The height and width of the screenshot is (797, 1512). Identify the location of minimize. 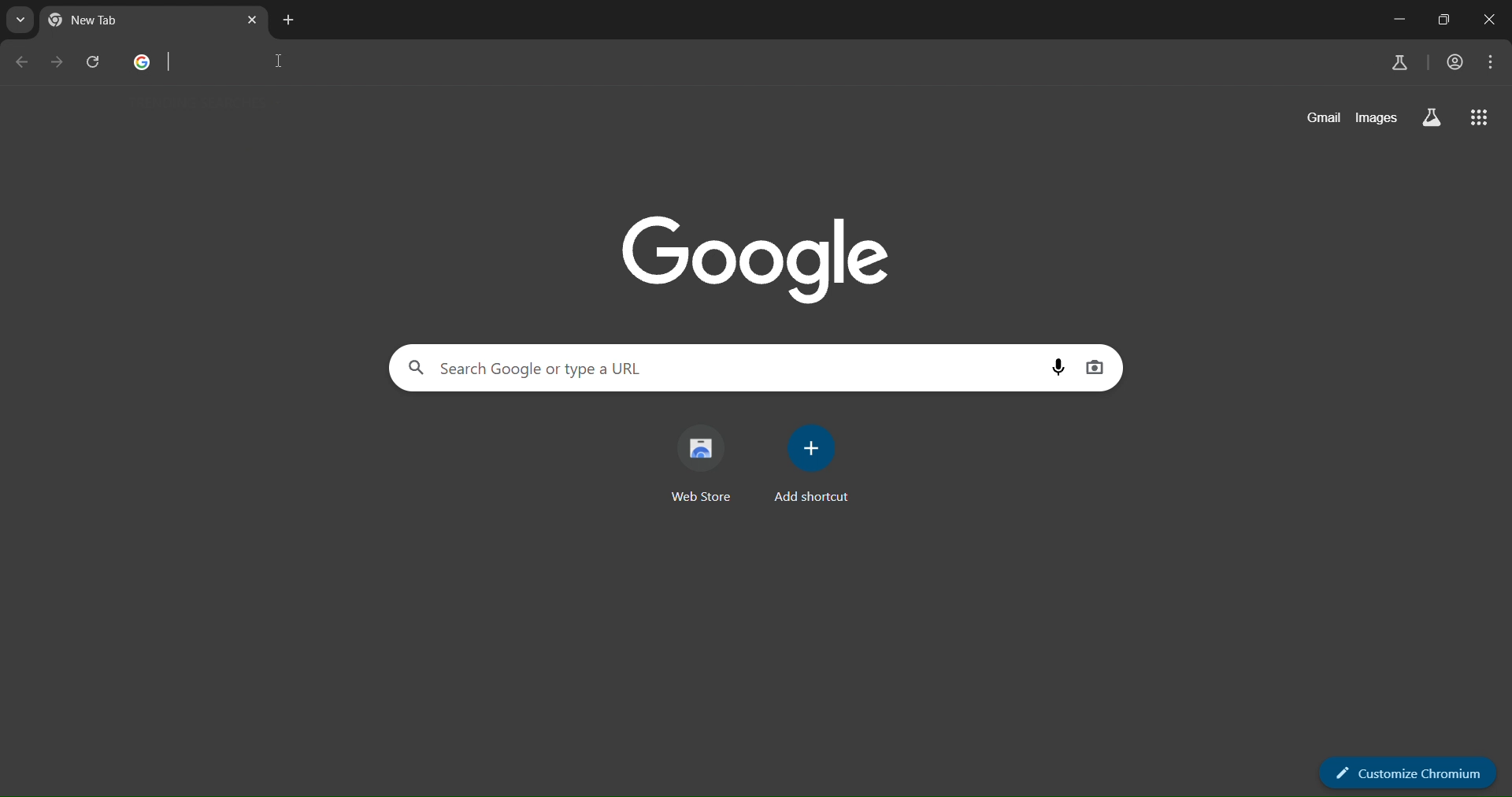
(1399, 21).